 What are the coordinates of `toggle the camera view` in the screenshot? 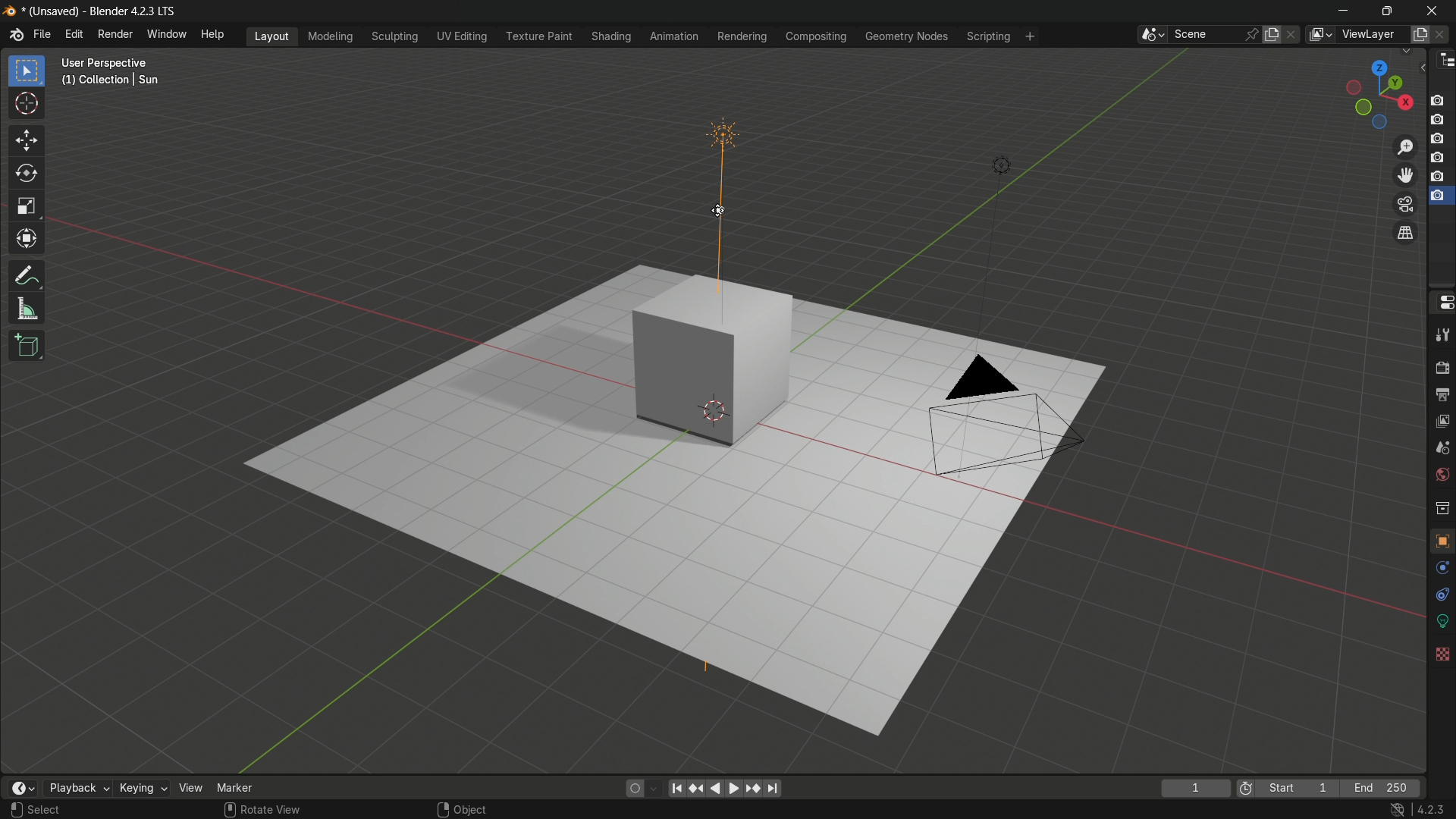 It's located at (1406, 205).